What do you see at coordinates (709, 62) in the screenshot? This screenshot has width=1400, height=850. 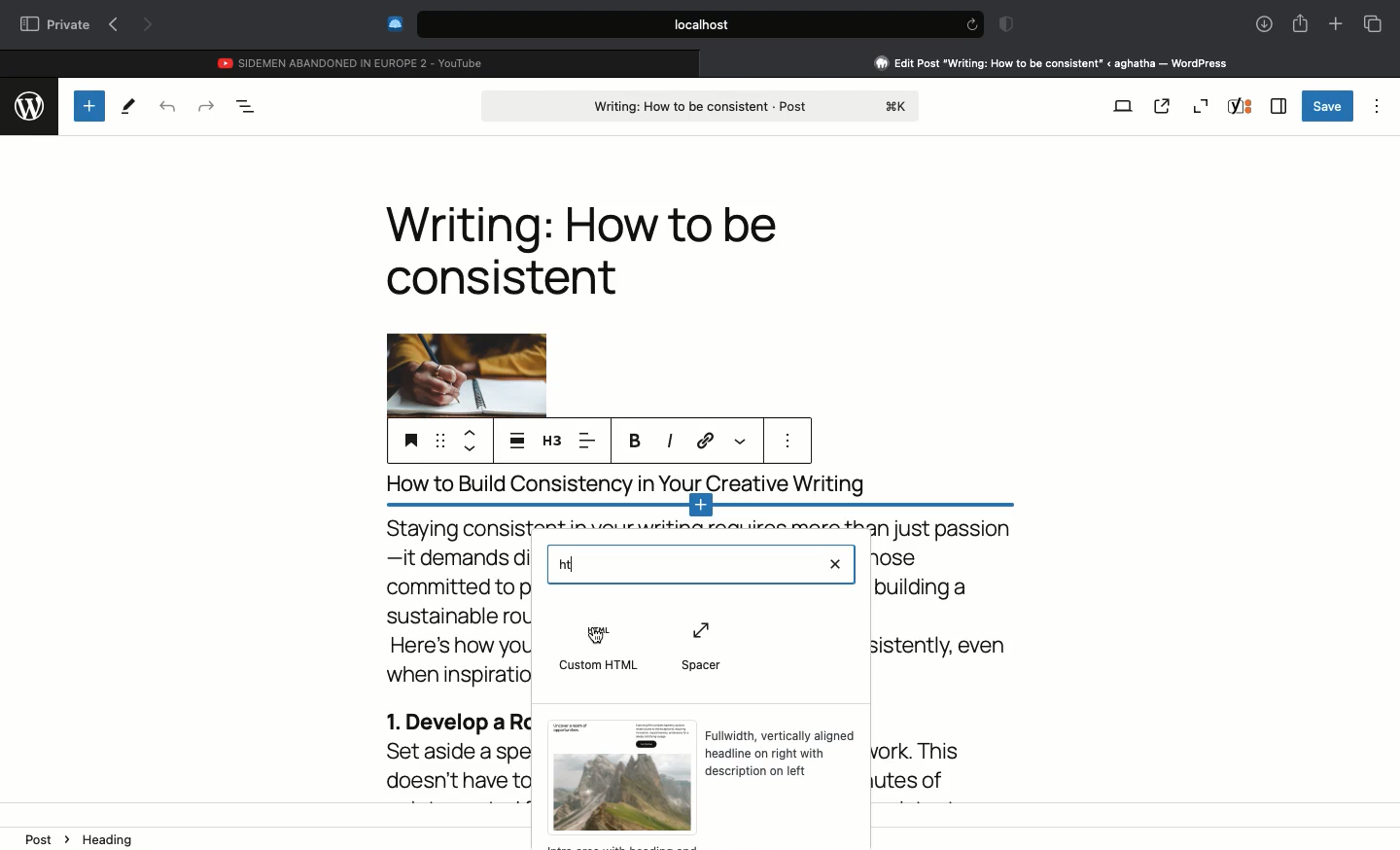 I see `close` at bounding box center [709, 62].